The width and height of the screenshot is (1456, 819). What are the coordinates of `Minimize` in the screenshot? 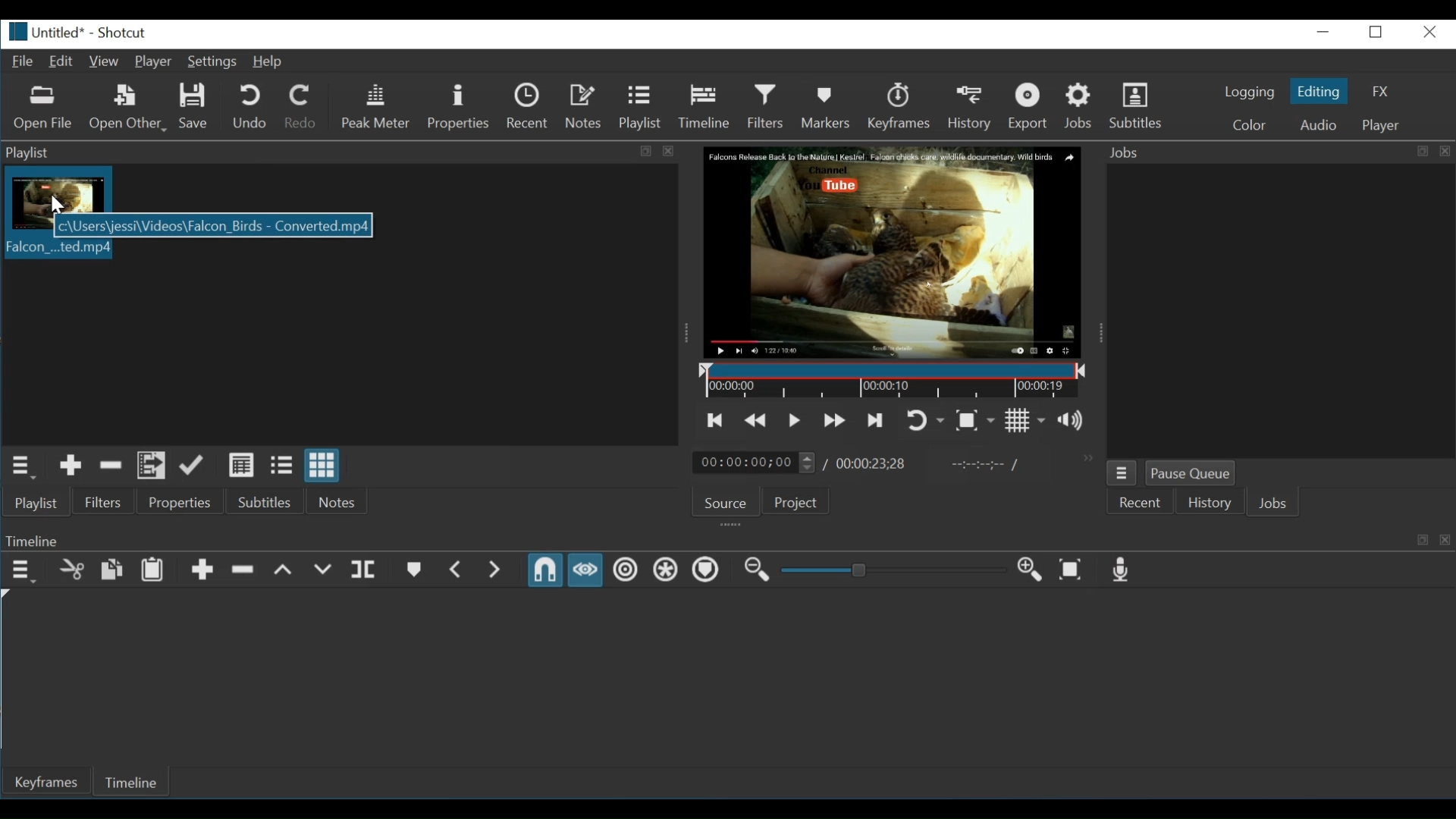 It's located at (1325, 32).